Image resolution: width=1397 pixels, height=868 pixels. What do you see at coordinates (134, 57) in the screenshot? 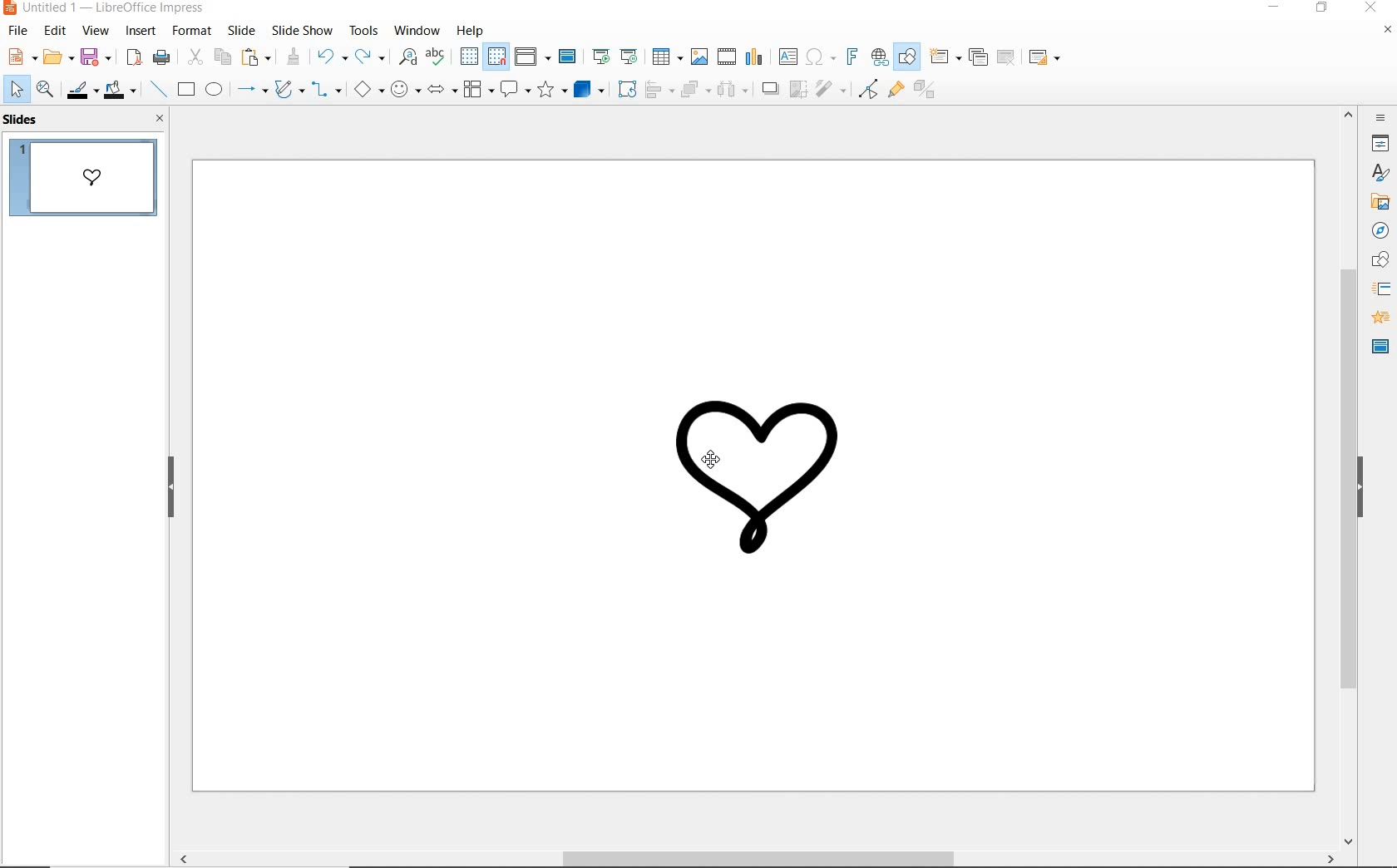
I see `export as pdf` at bounding box center [134, 57].